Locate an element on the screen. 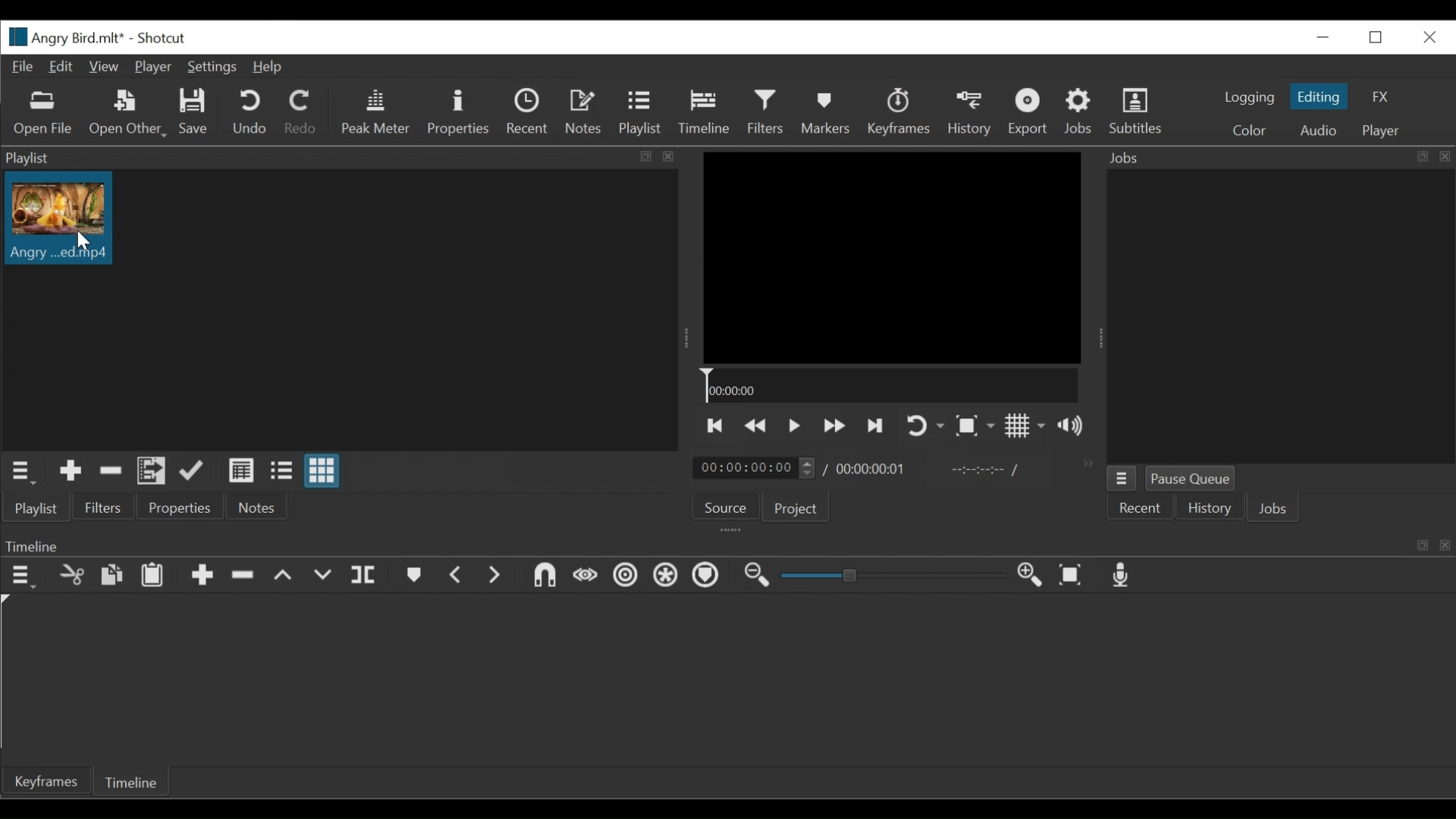 The width and height of the screenshot is (1456, 819). Redo is located at coordinates (301, 112).